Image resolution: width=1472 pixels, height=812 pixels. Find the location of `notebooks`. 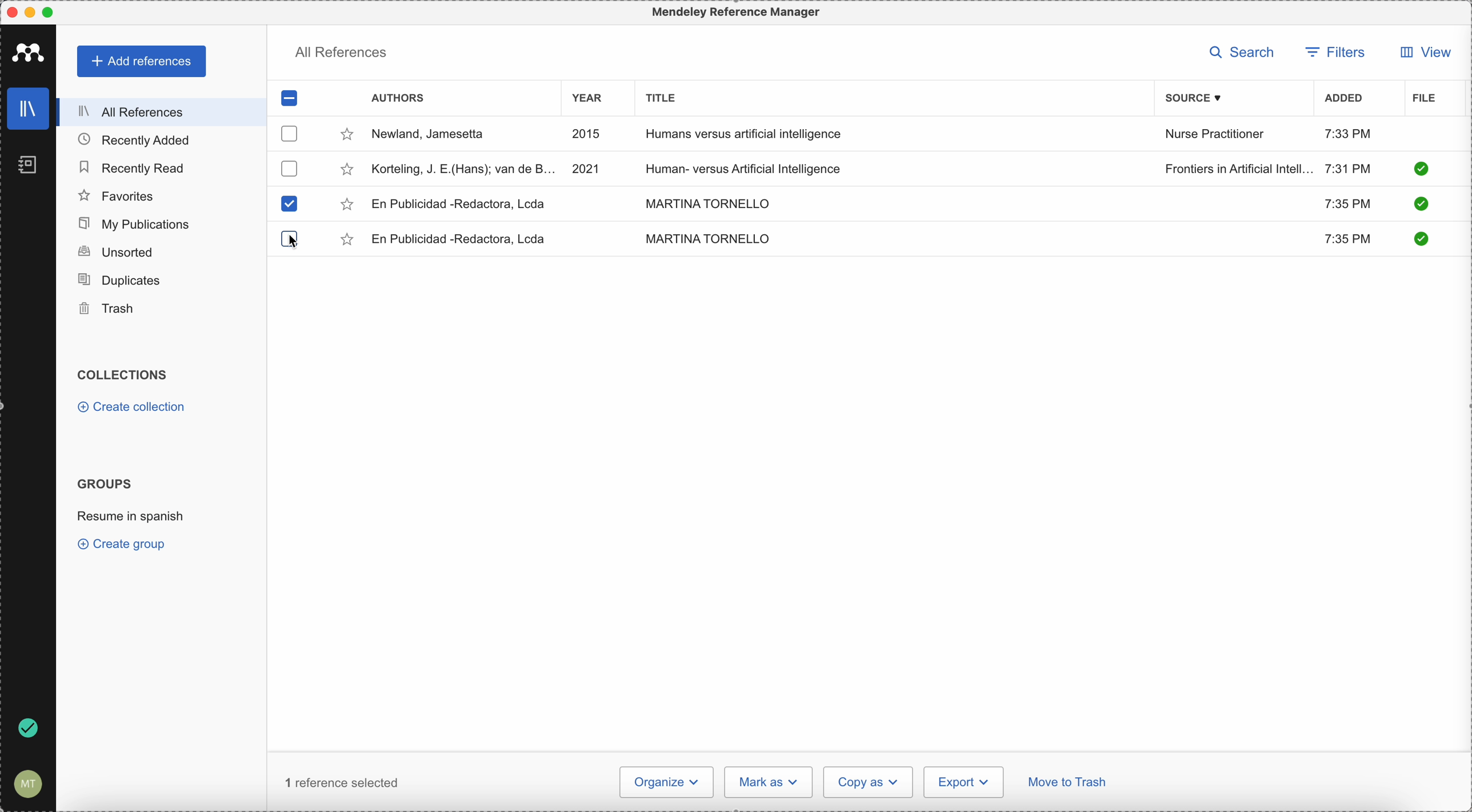

notebooks is located at coordinates (30, 168).